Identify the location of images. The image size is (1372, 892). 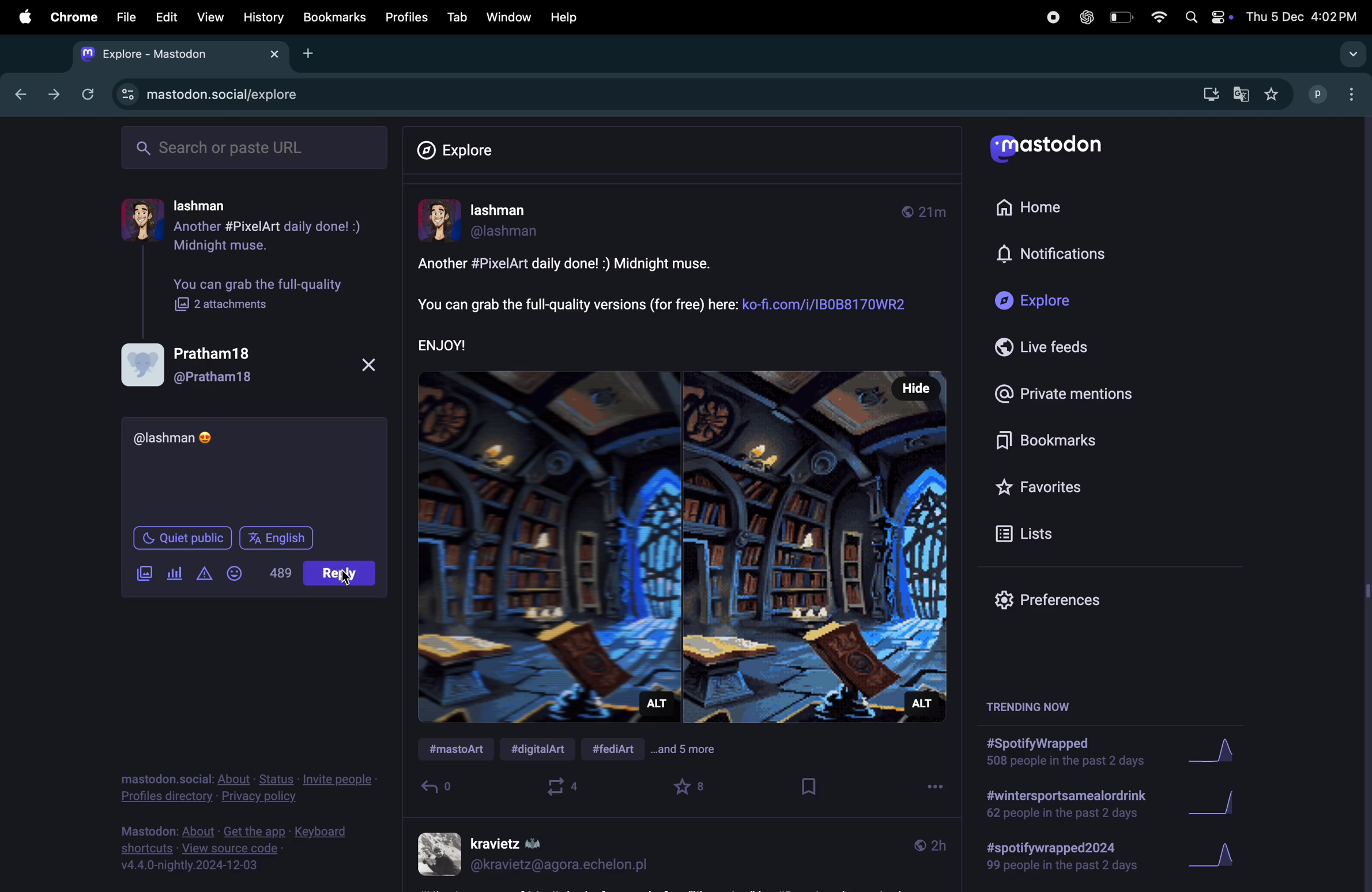
(140, 574).